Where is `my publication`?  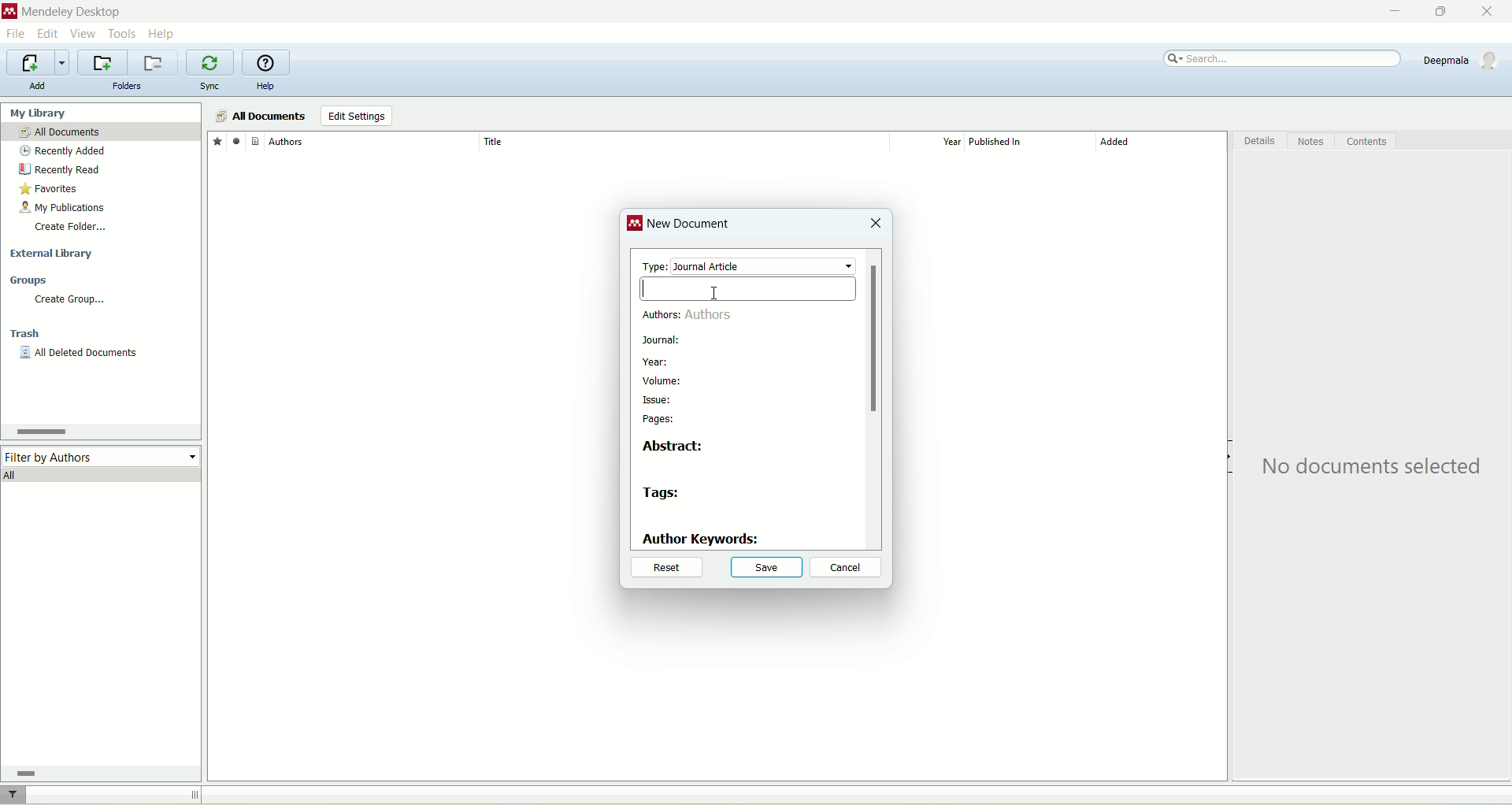 my publication is located at coordinates (65, 209).